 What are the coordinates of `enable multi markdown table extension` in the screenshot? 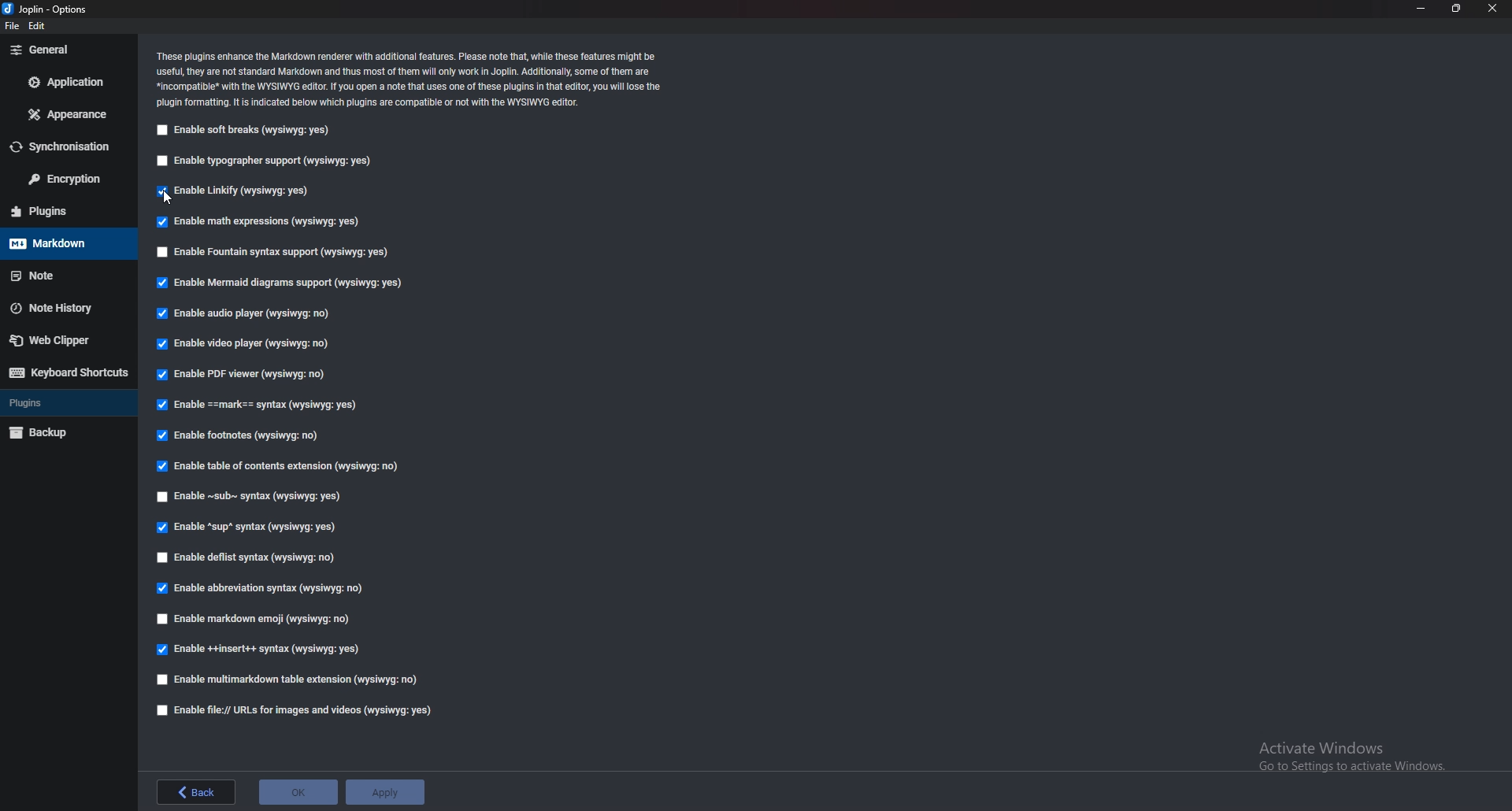 It's located at (285, 680).